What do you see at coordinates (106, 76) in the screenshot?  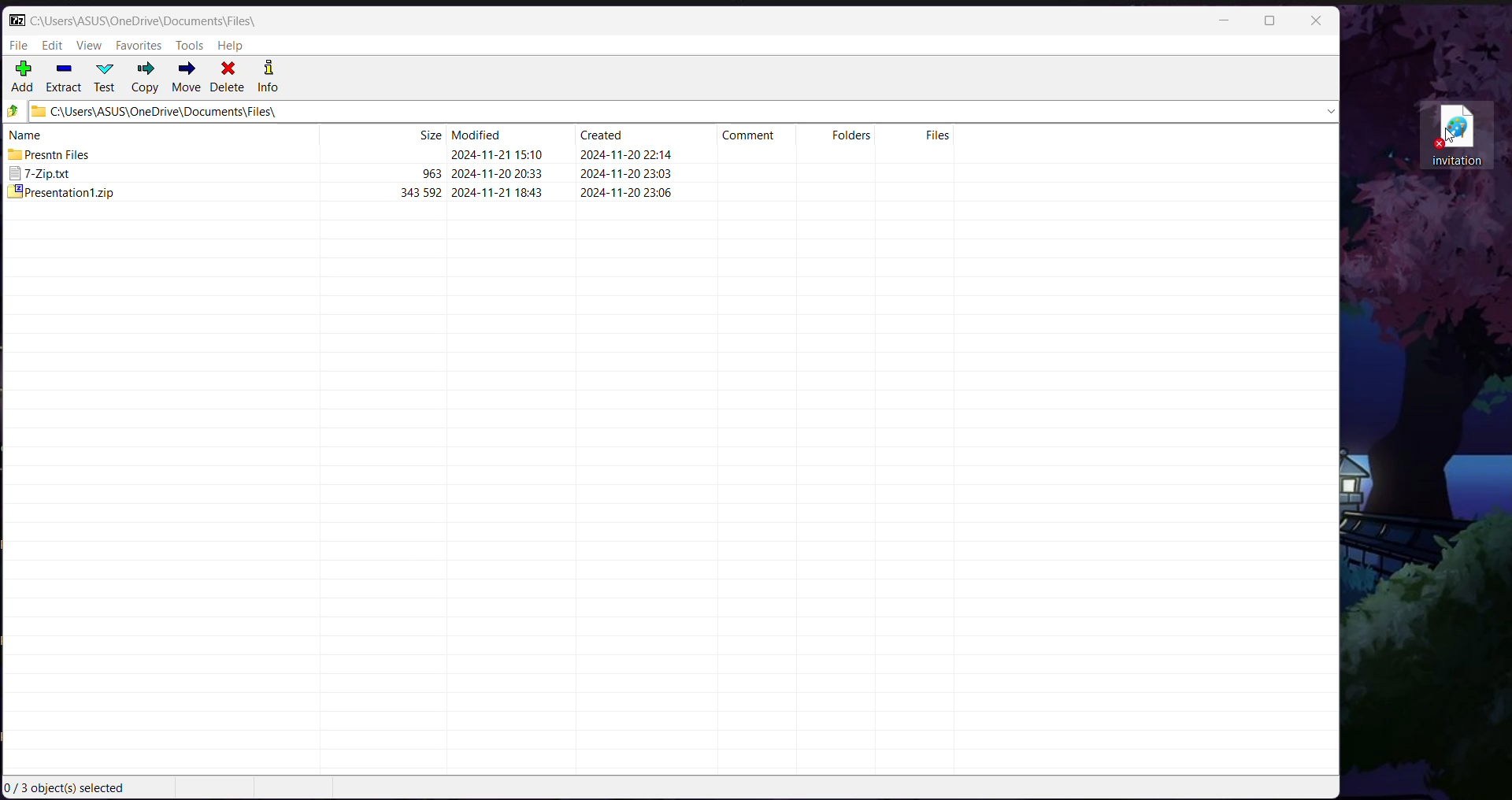 I see `Test` at bounding box center [106, 76].